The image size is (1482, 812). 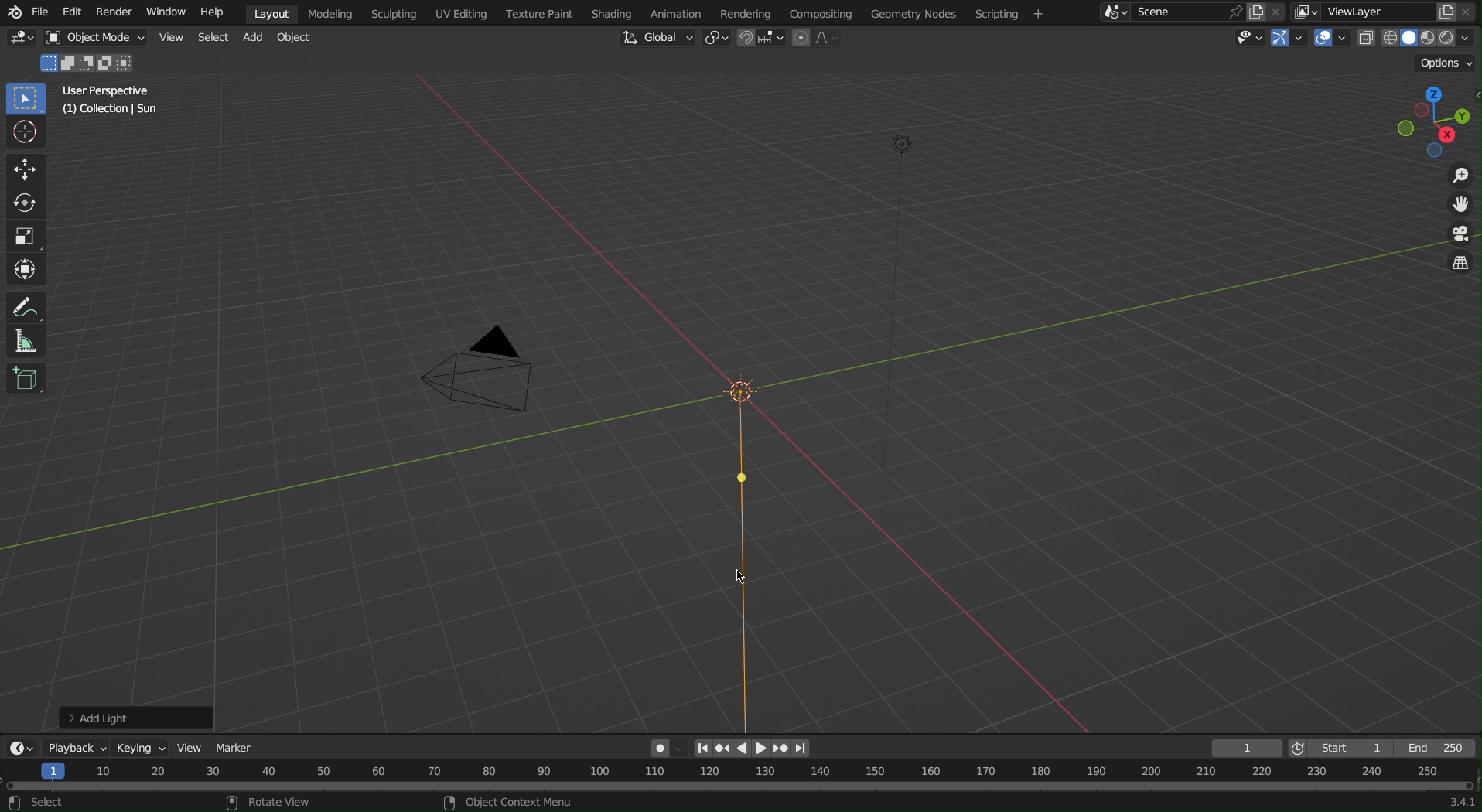 I want to click on Edit, so click(x=71, y=13).